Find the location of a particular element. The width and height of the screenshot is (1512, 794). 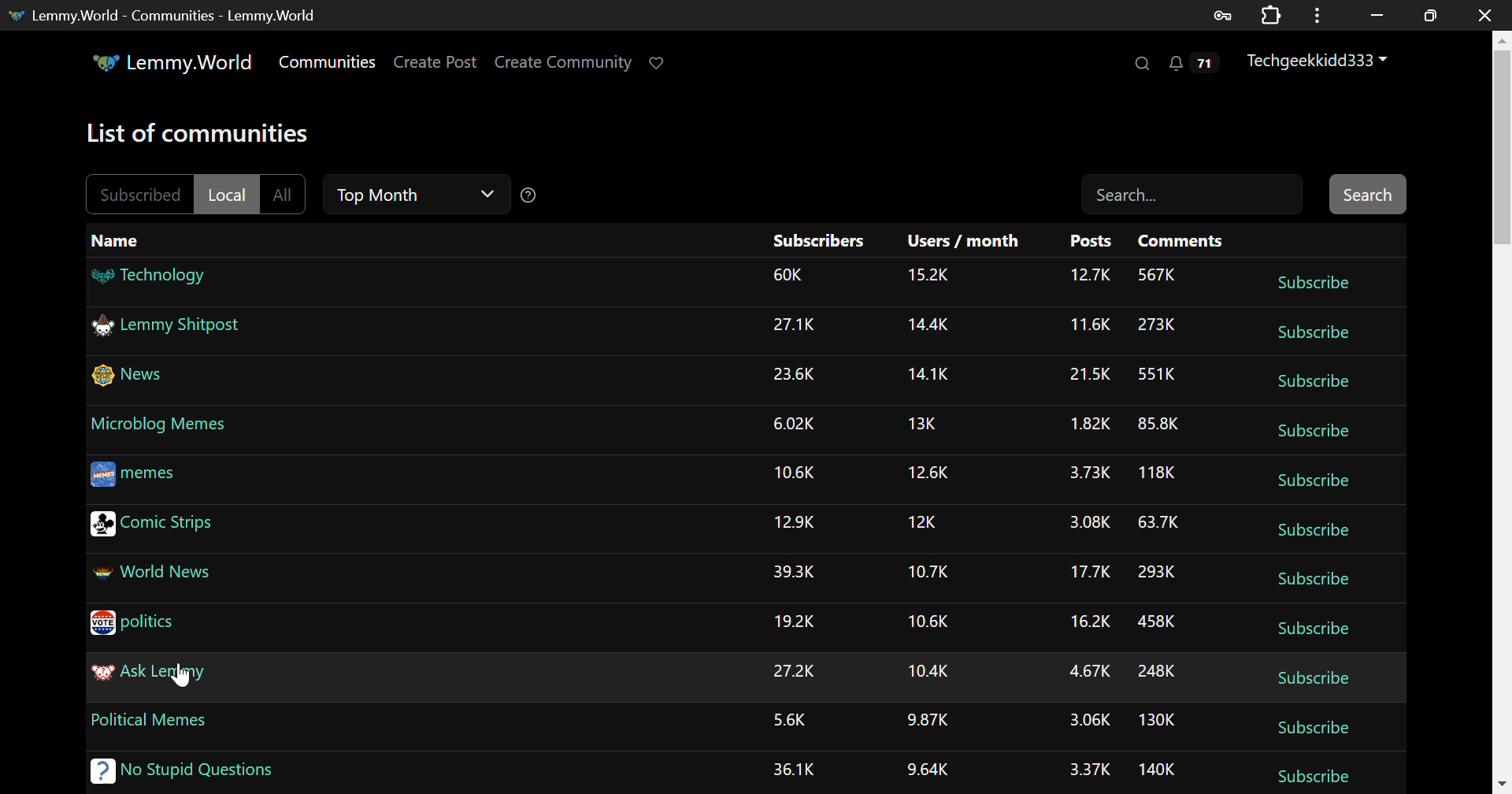

Amount is located at coordinates (790, 425).